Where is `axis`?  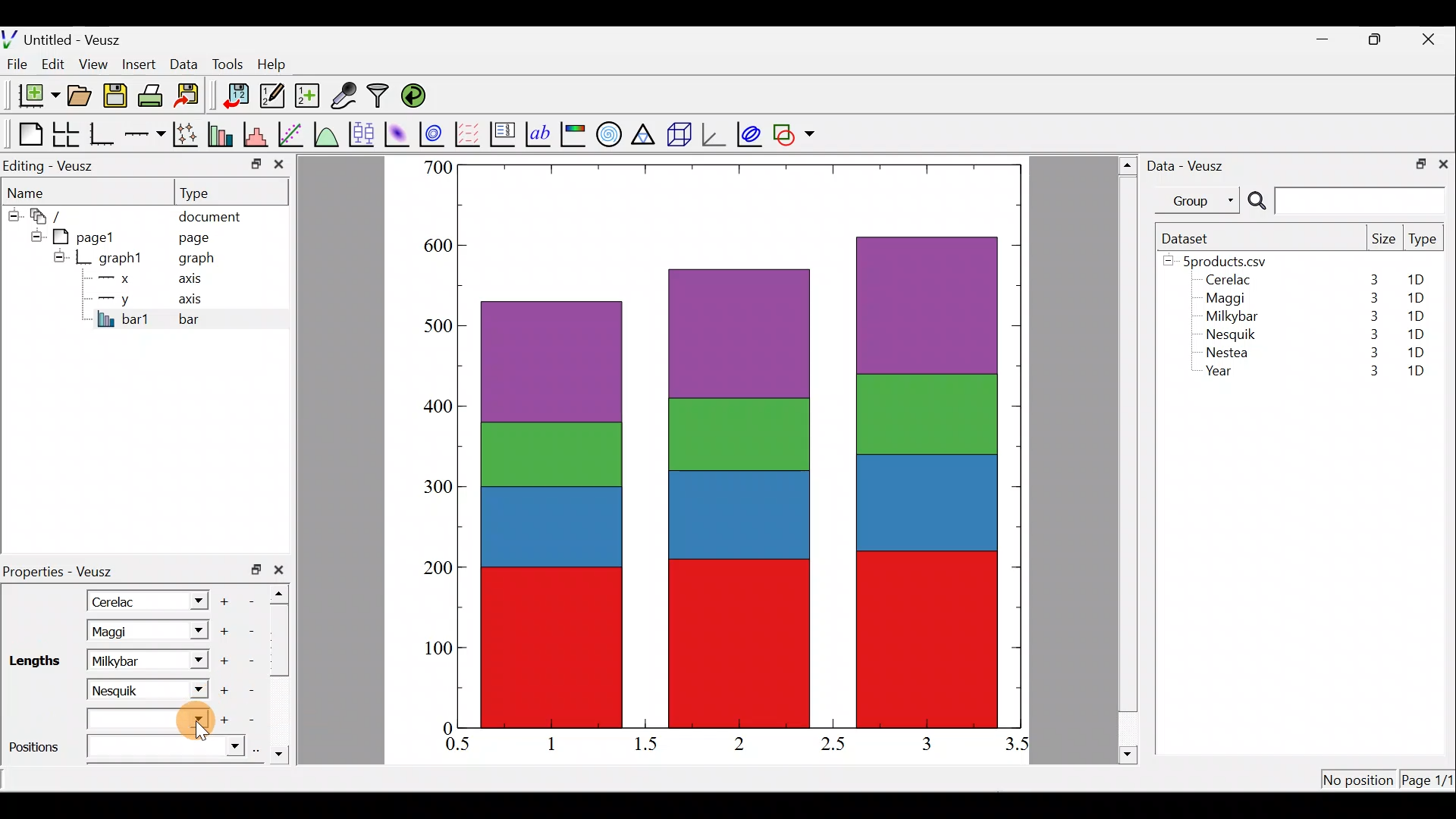 axis is located at coordinates (195, 281).